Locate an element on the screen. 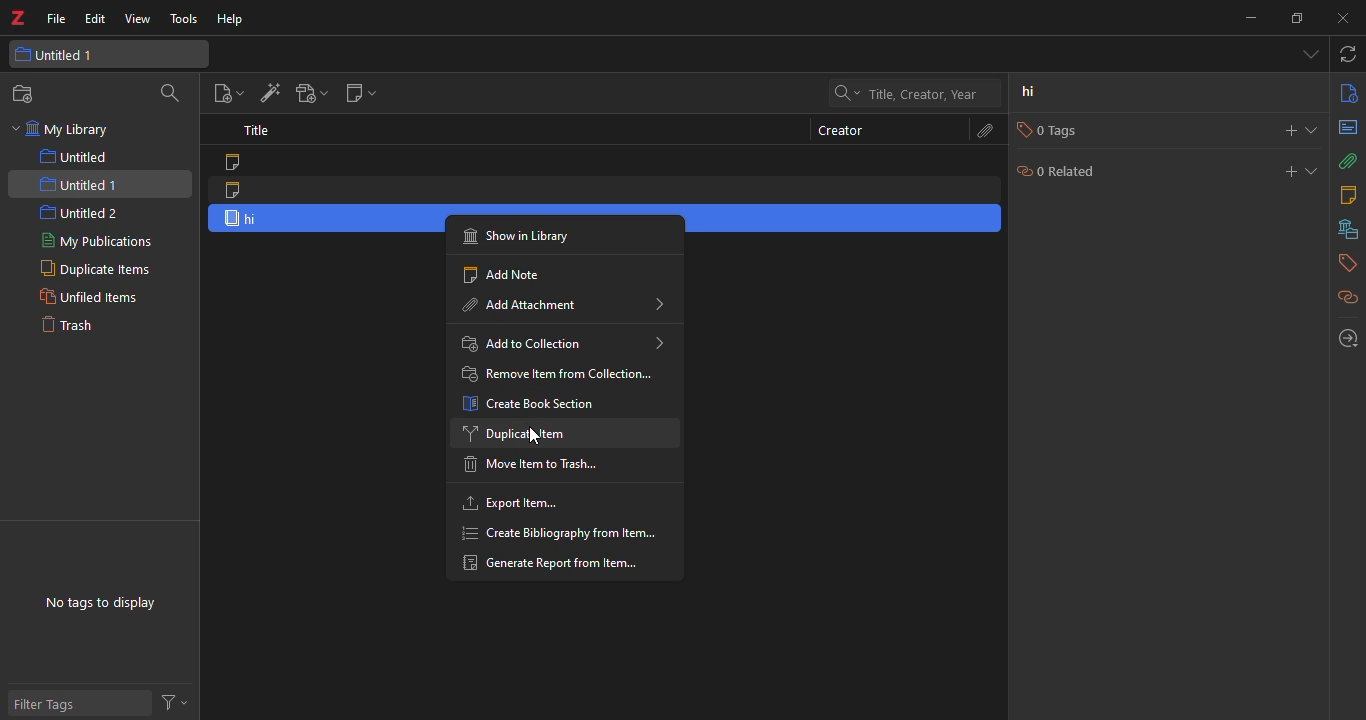 The height and width of the screenshot is (720, 1366). item is located at coordinates (242, 222).